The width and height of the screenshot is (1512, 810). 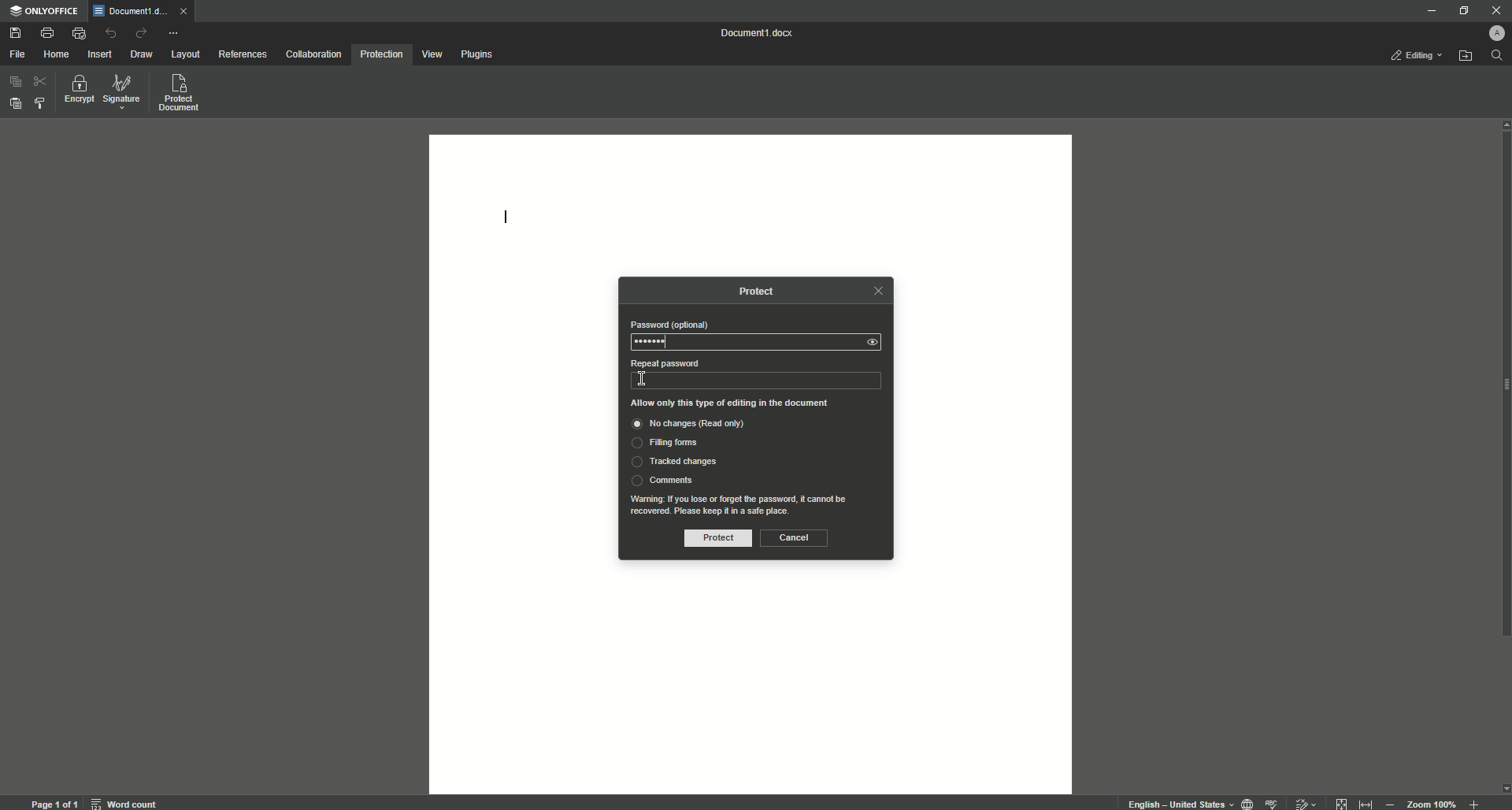 I want to click on Text line, so click(x=506, y=220).